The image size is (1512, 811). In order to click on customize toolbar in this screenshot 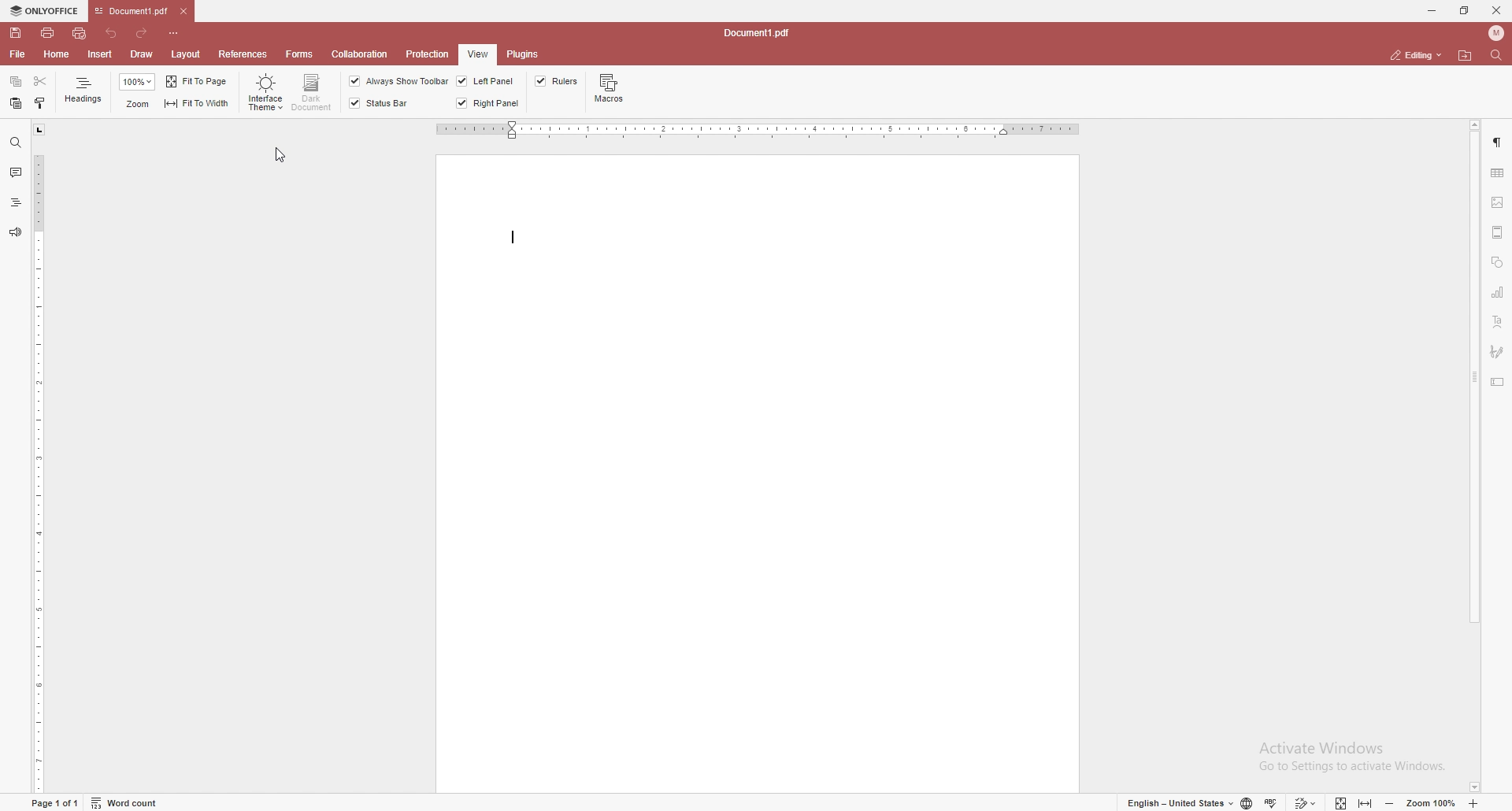, I will do `click(176, 33)`.